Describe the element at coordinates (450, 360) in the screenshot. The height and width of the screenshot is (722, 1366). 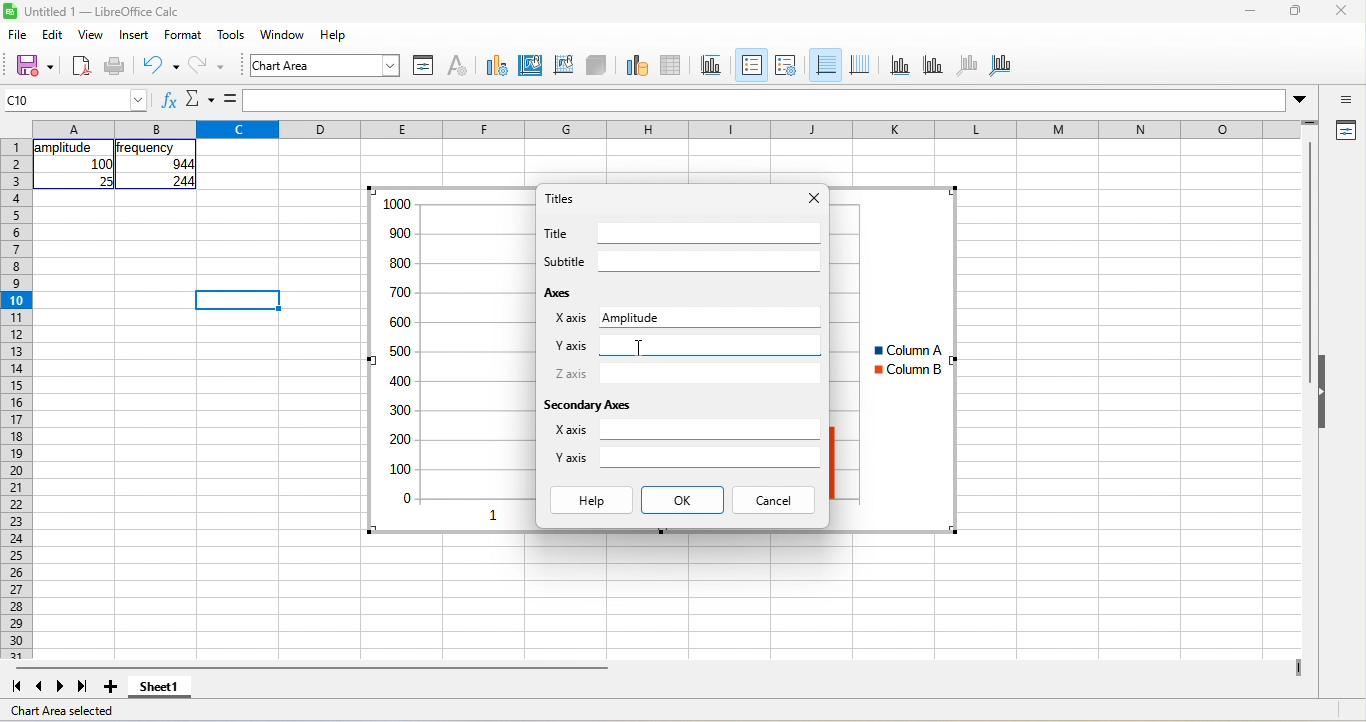
I see `Column chart` at that location.